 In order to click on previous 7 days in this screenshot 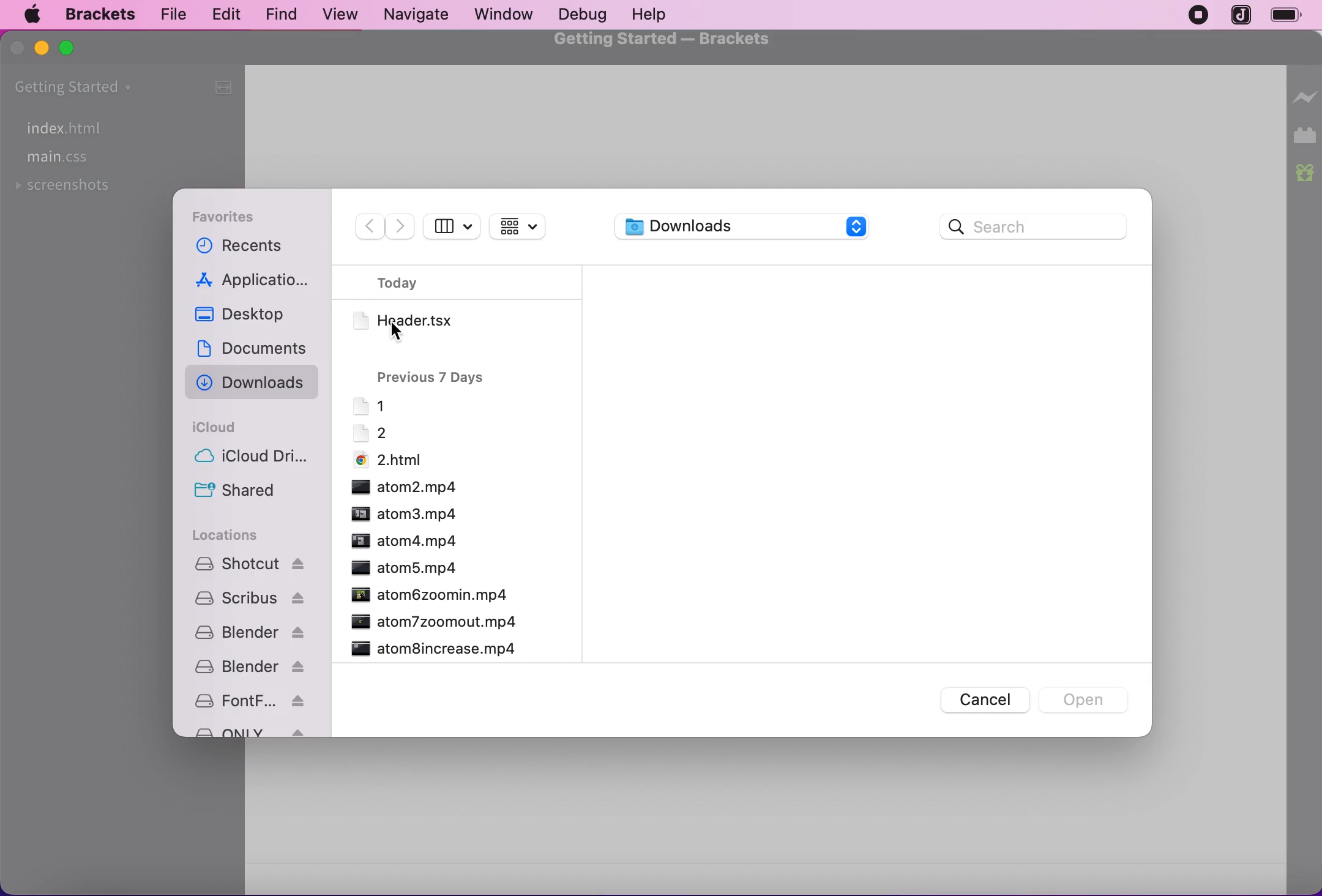, I will do `click(434, 375)`.